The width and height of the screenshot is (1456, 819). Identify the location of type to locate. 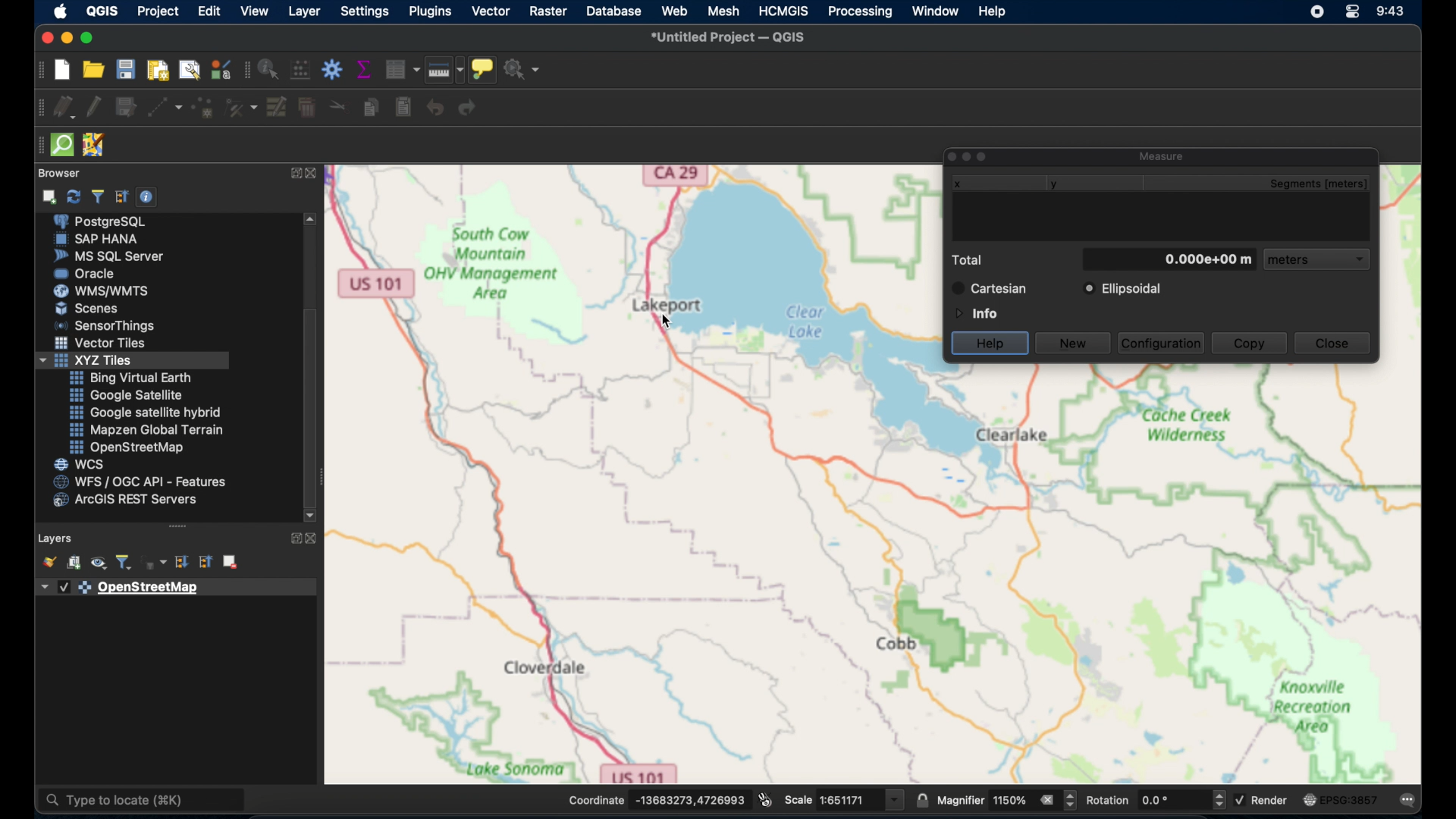
(143, 801).